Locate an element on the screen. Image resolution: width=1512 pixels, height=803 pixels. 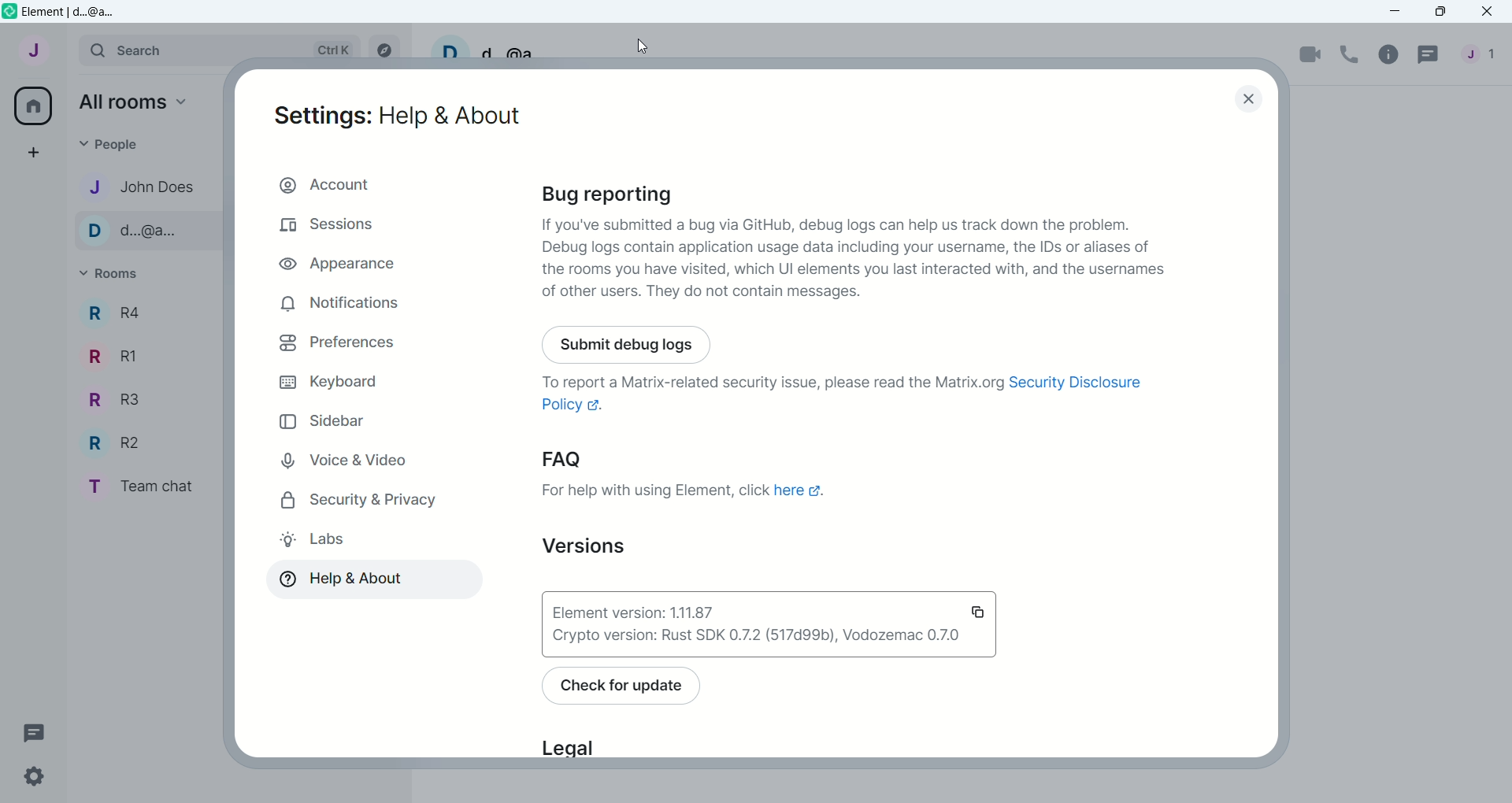
Voice call is located at coordinates (1352, 52).